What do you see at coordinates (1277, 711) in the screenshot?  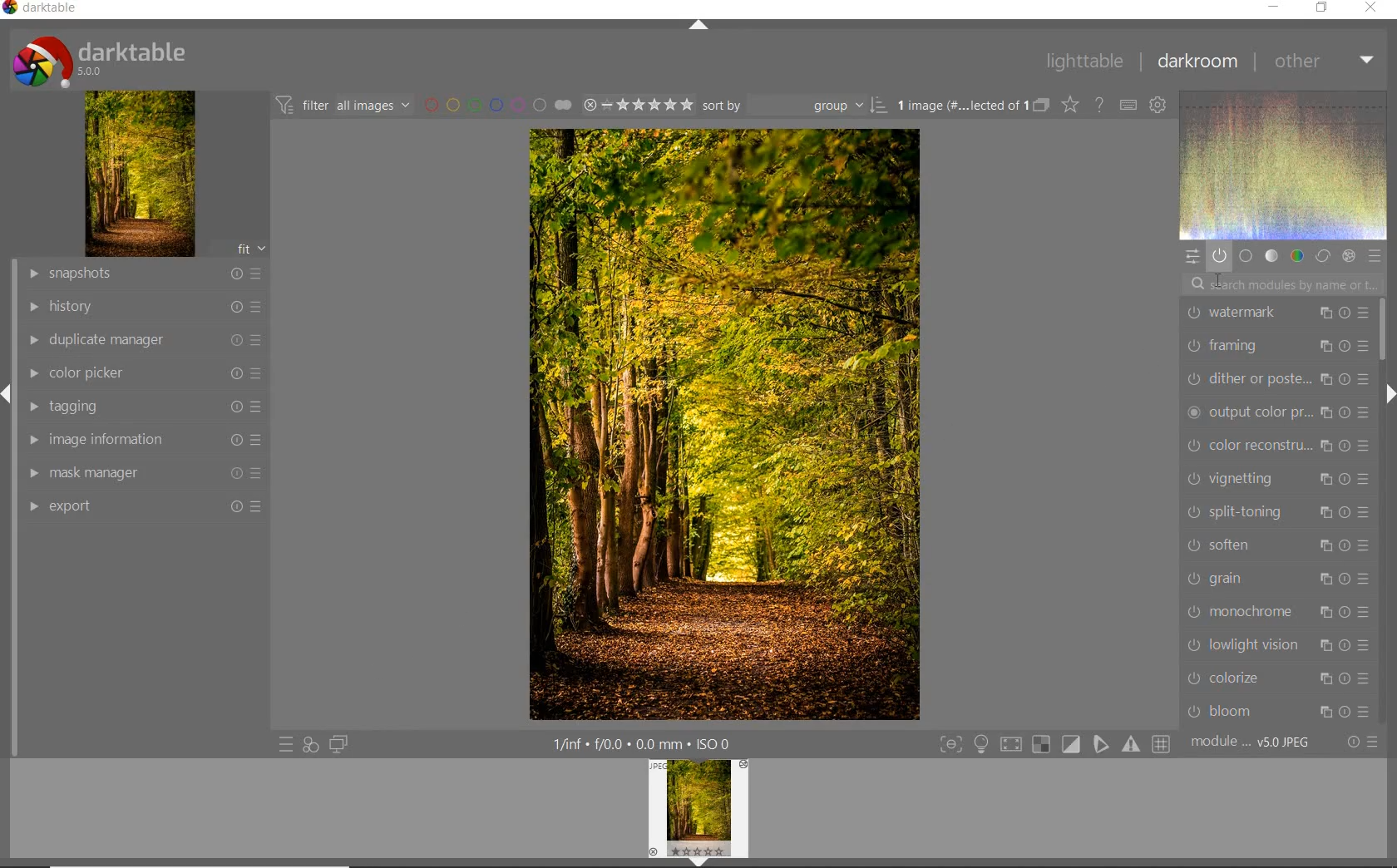 I see `bloom` at bounding box center [1277, 711].